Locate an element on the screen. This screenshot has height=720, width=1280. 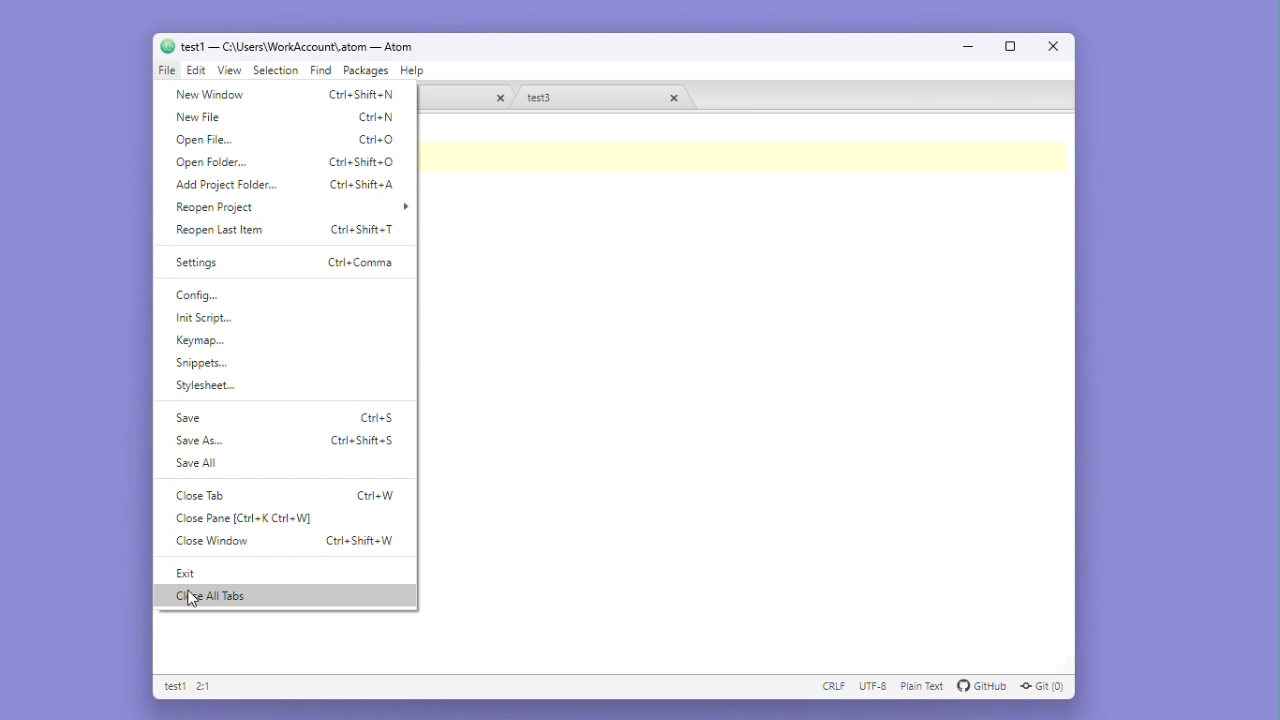
 is located at coordinates (203, 388).